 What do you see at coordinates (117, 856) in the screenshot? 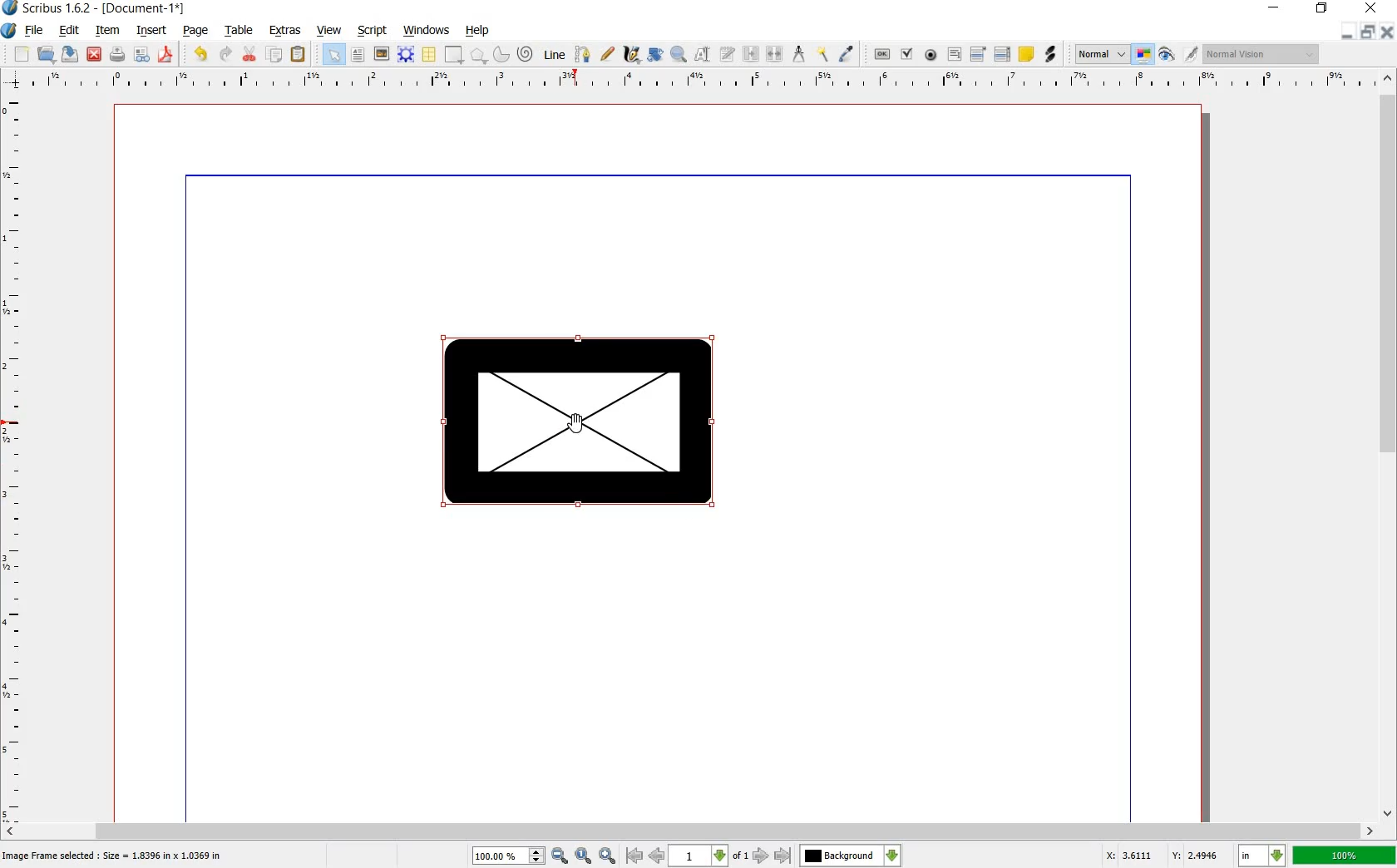
I see `Image Frame selected: Size= 1.8396 in * 1.0369 in` at bounding box center [117, 856].